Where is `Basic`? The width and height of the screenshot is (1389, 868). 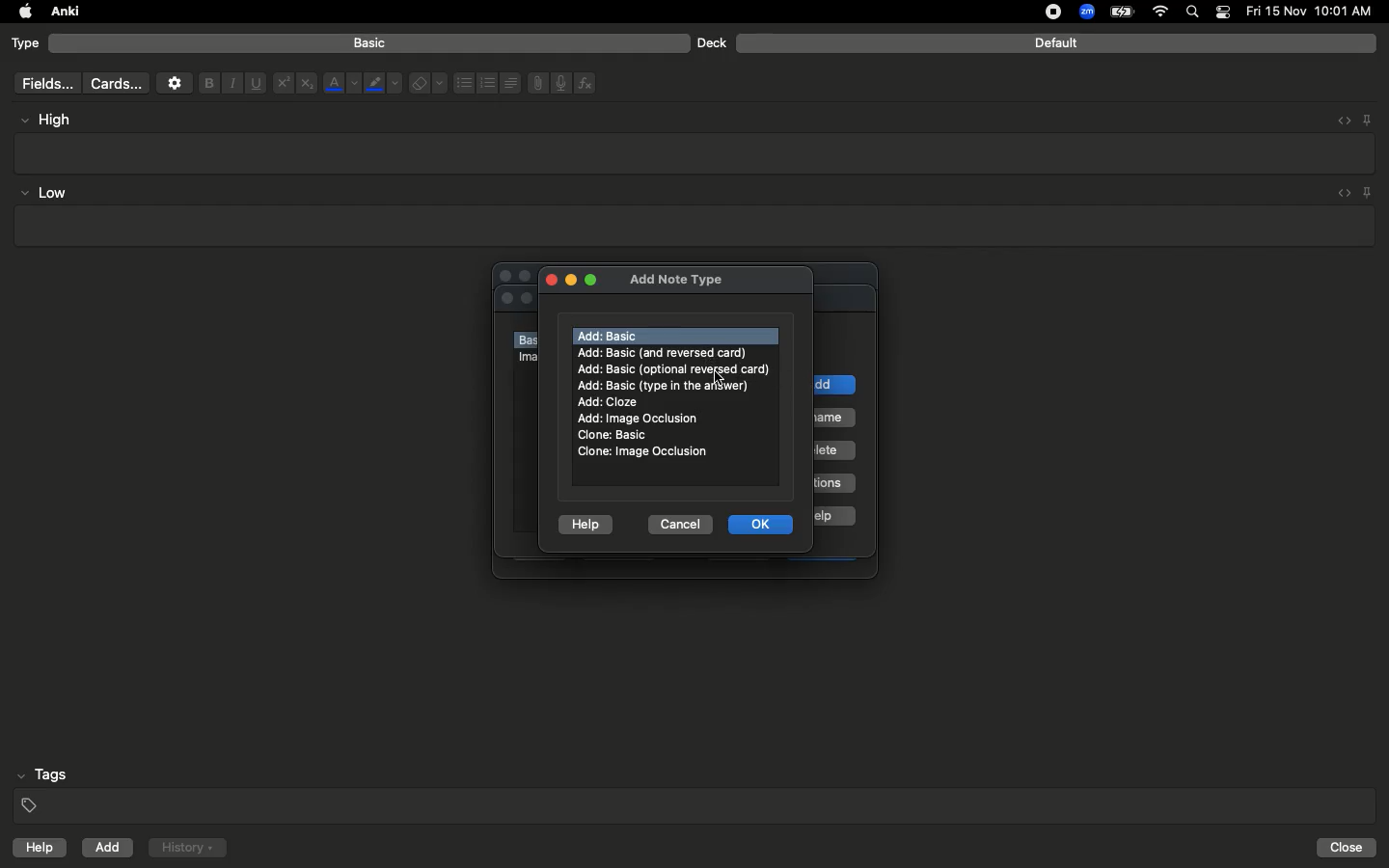
Basic is located at coordinates (370, 43).